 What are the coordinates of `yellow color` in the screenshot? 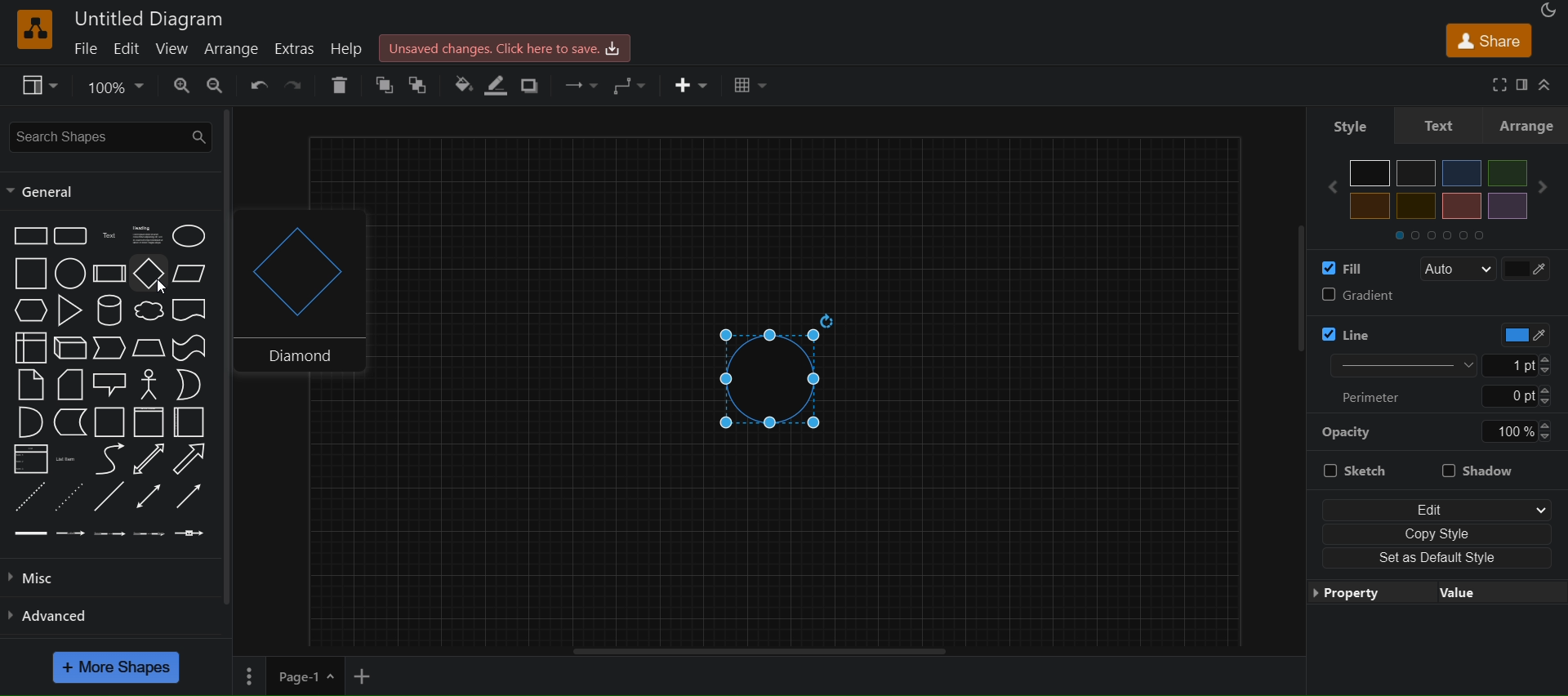 It's located at (1370, 206).